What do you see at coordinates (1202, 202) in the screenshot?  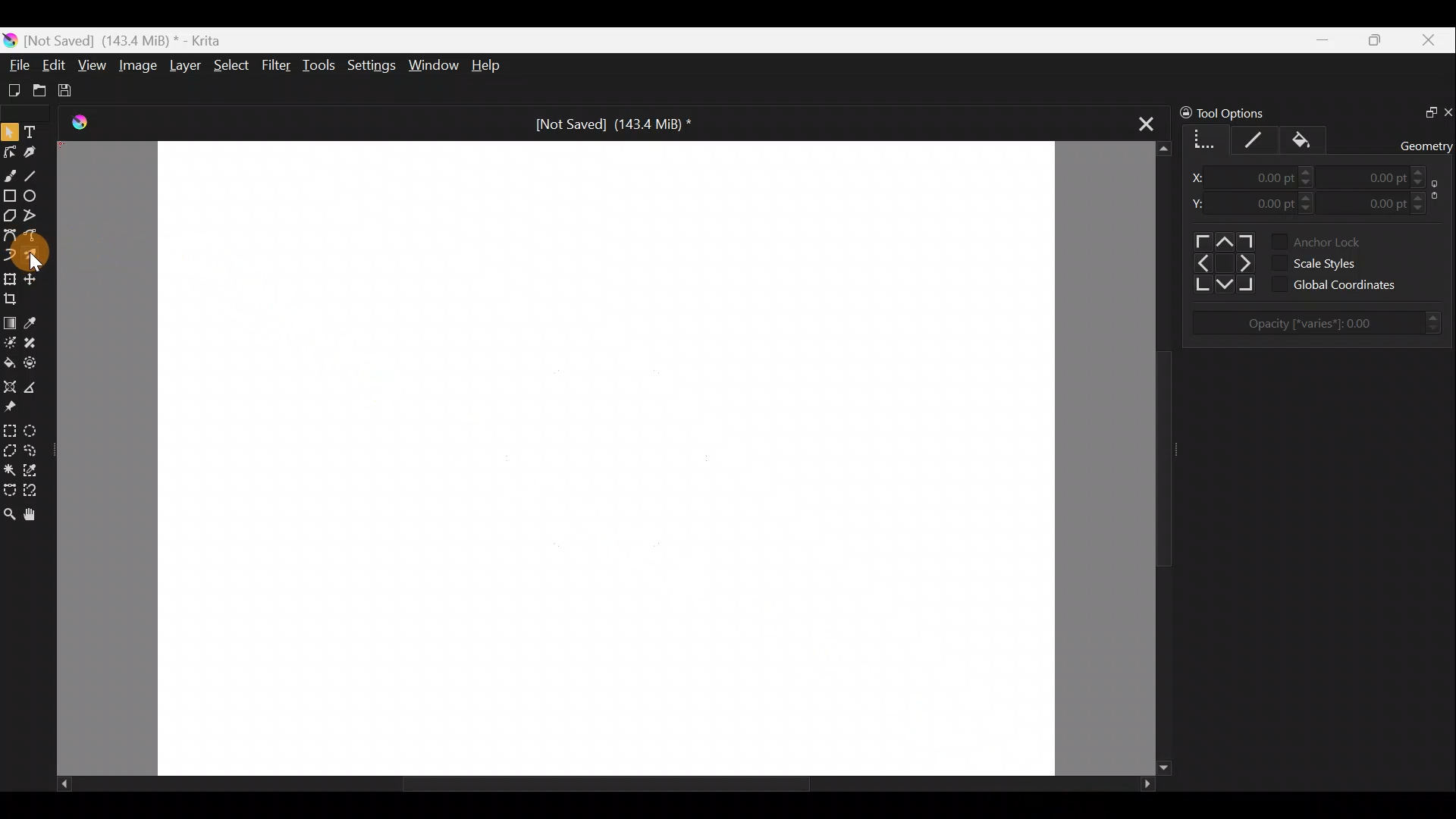 I see `Y-axis dimension` at bounding box center [1202, 202].